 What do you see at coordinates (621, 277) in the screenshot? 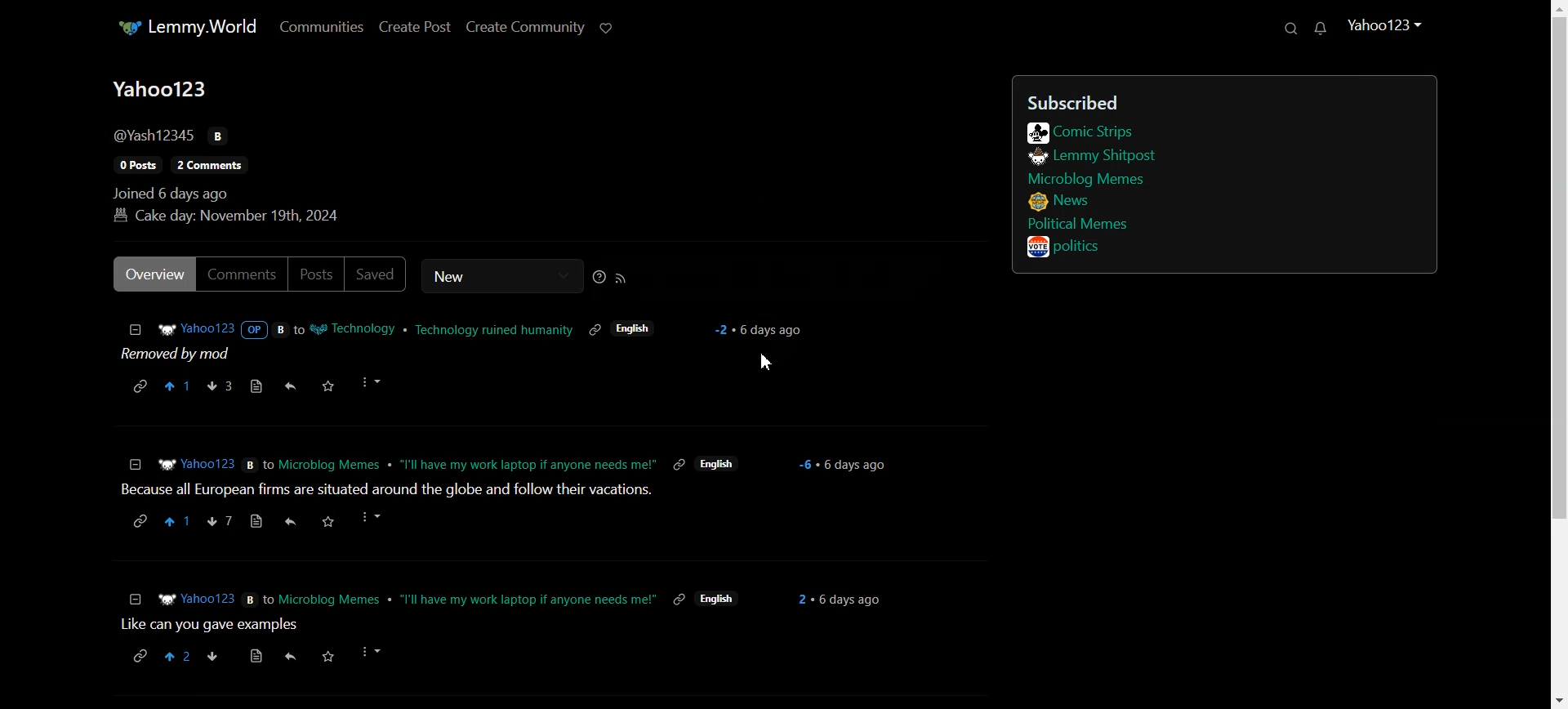
I see `RSS` at bounding box center [621, 277].